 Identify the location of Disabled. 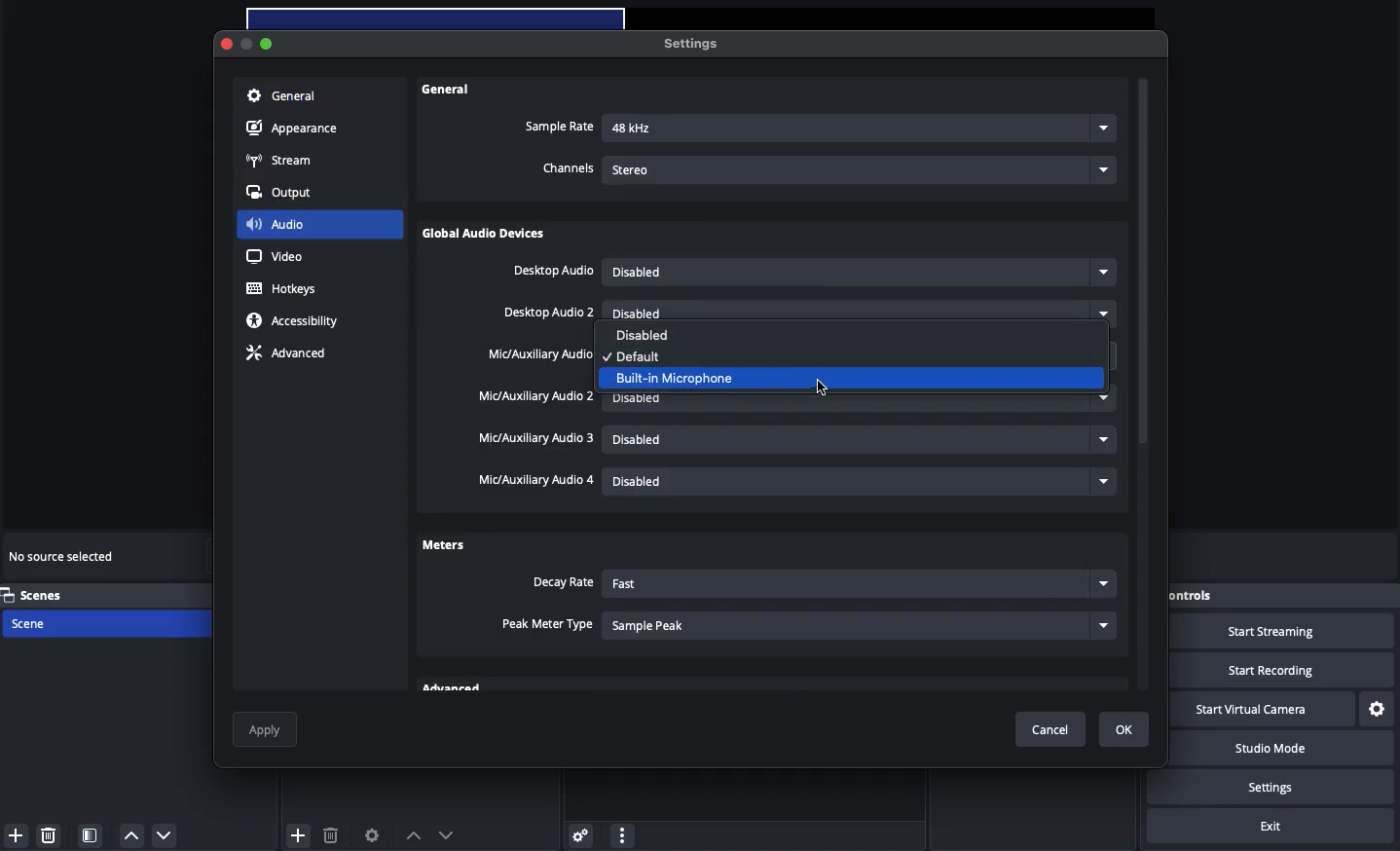
(858, 273).